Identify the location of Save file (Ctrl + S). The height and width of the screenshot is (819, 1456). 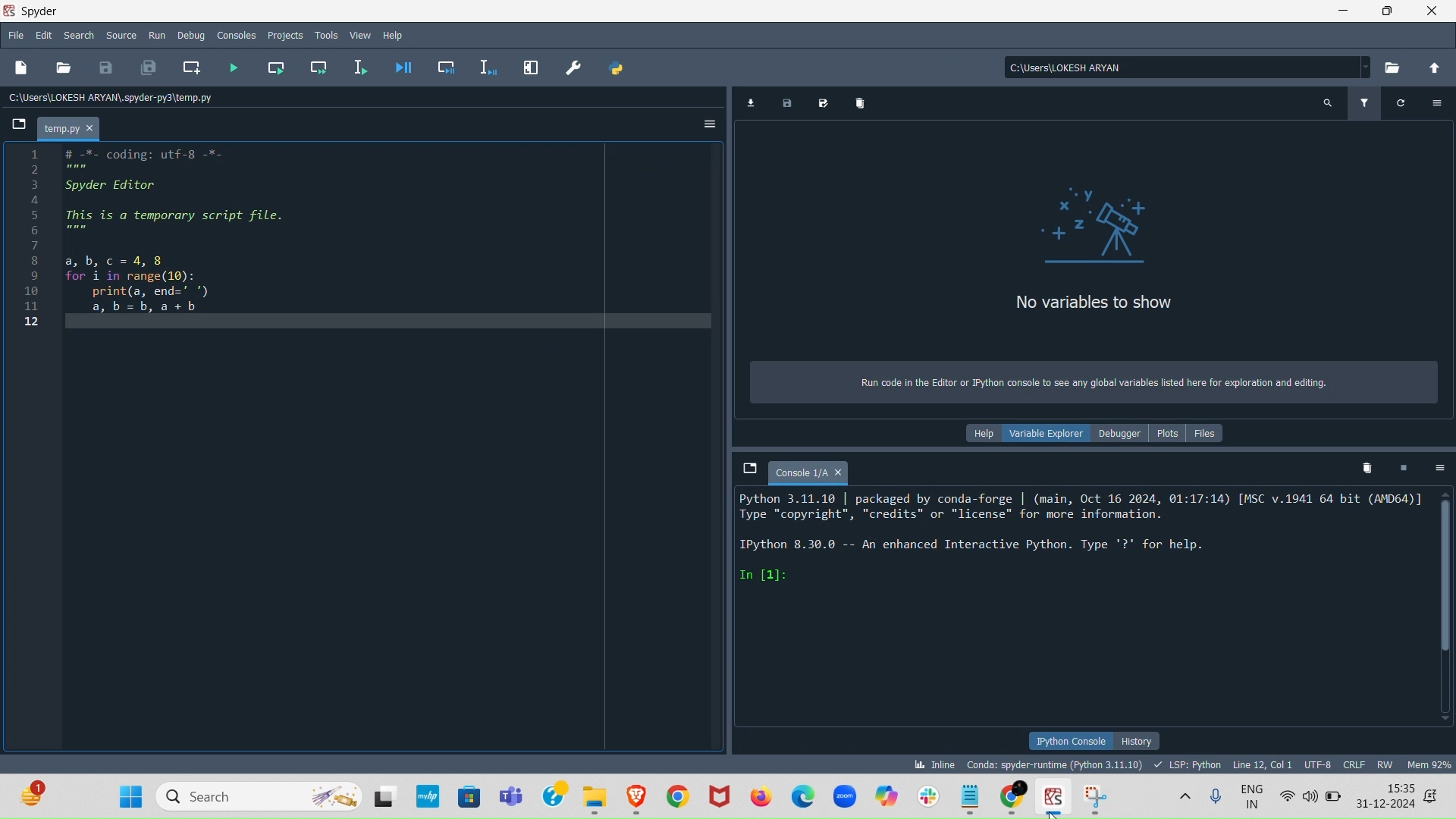
(103, 68).